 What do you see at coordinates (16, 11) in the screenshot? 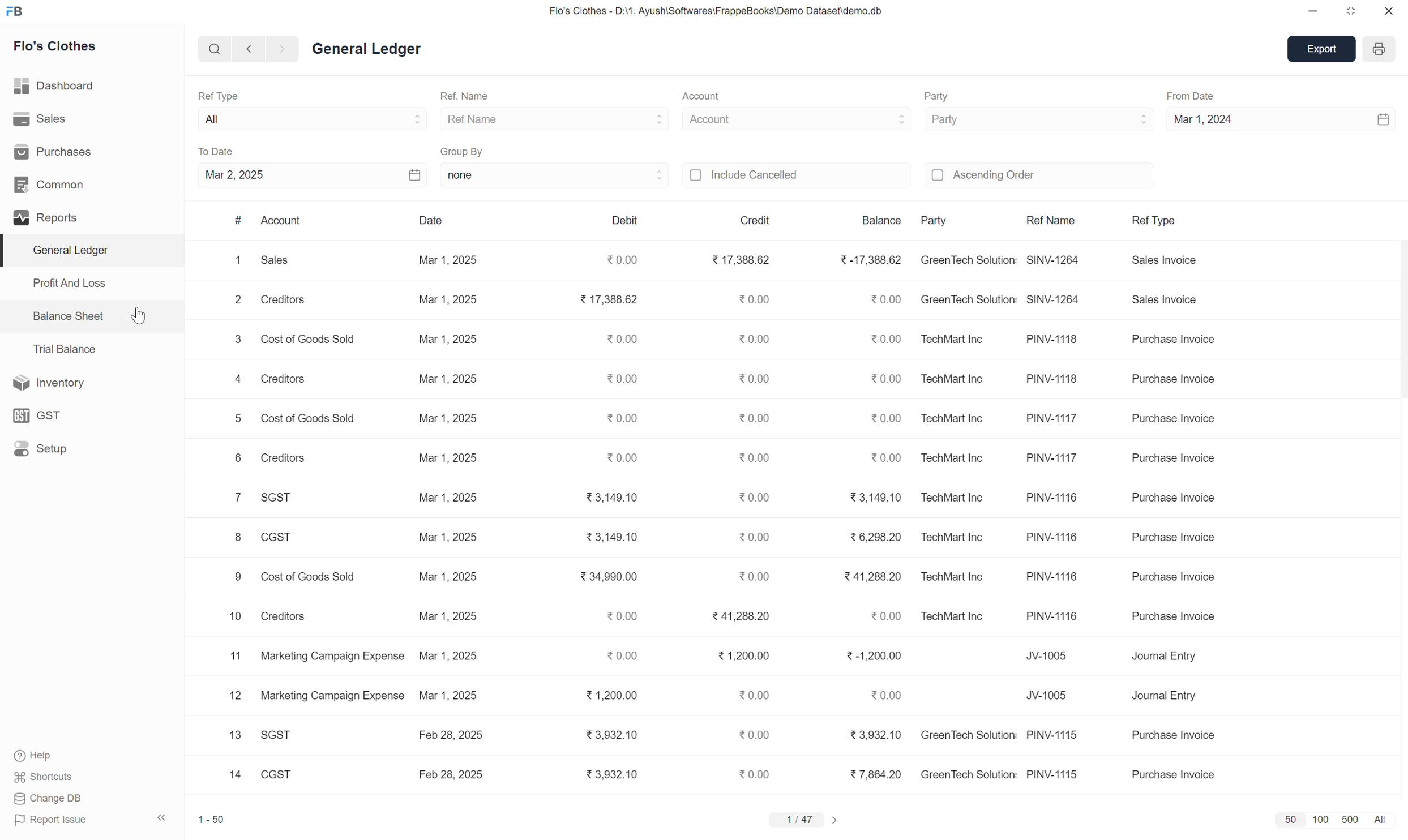
I see `FB` at bounding box center [16, 11].